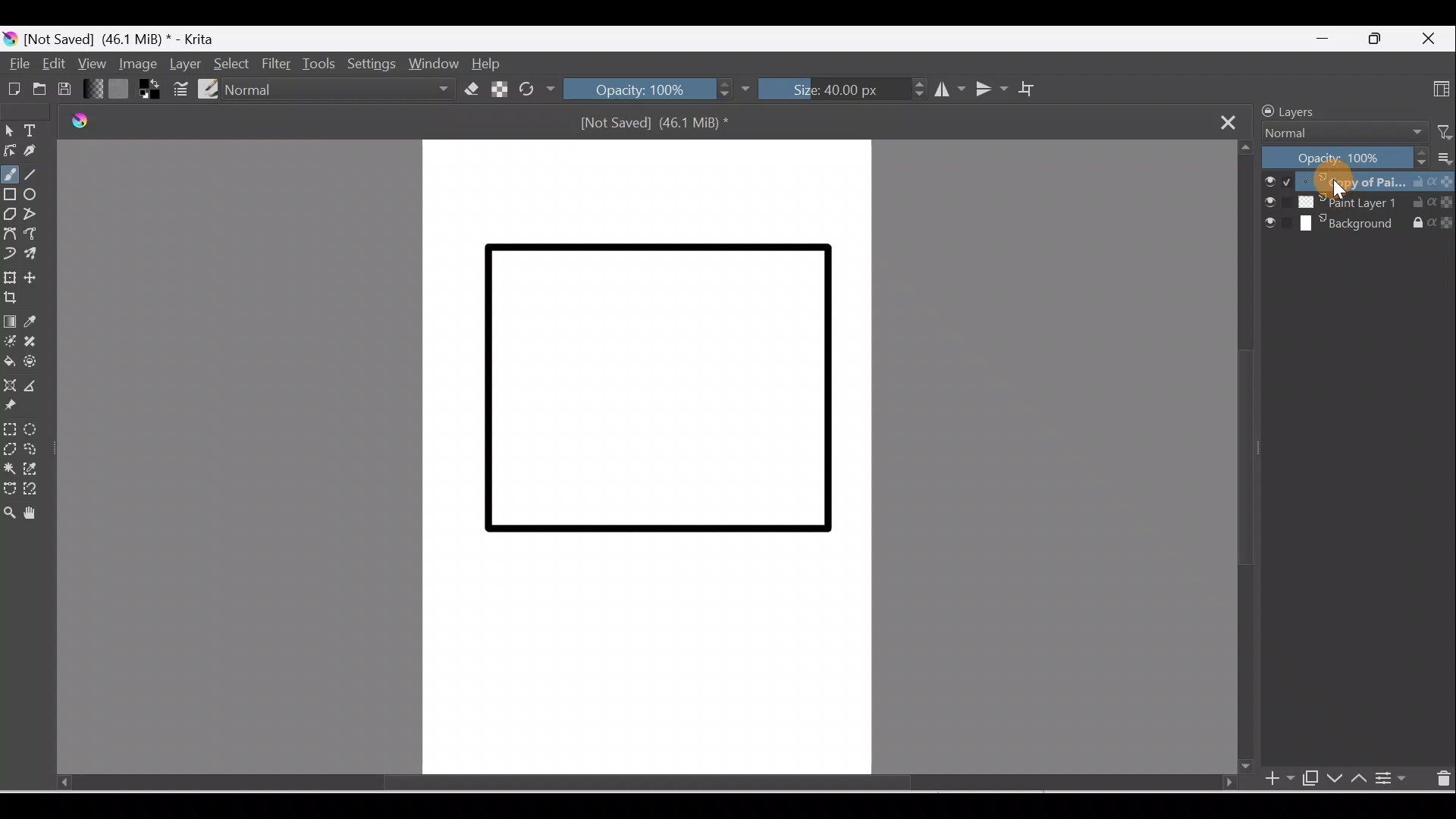  Describe the element at coordinates (497, 88) in the screenshot. I see `Preserve Alpha` at that location.